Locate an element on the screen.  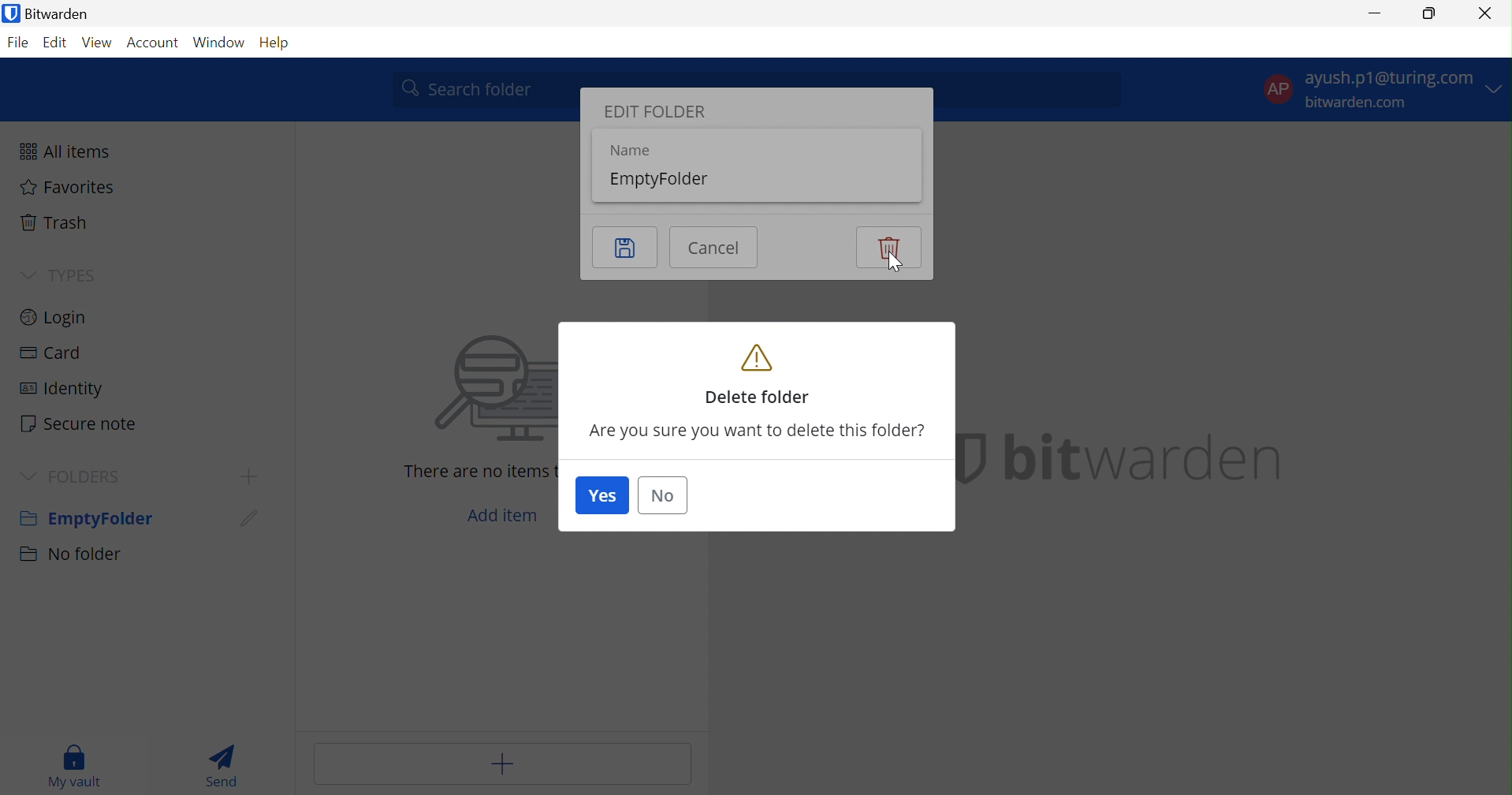
EmptyFolder is located at coordinates (666, 181).